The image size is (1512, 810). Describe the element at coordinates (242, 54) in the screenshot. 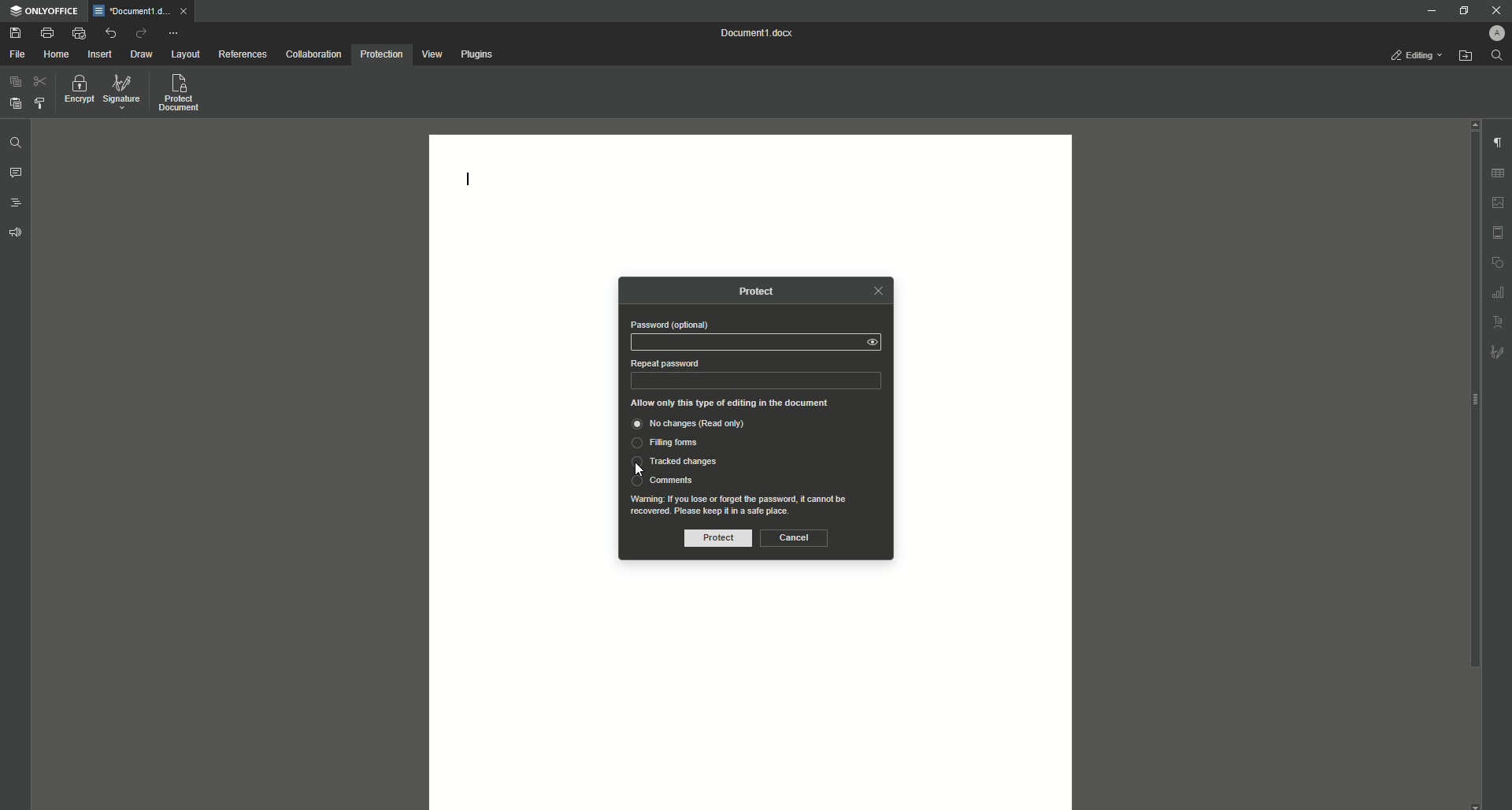

I see `References` at that location.